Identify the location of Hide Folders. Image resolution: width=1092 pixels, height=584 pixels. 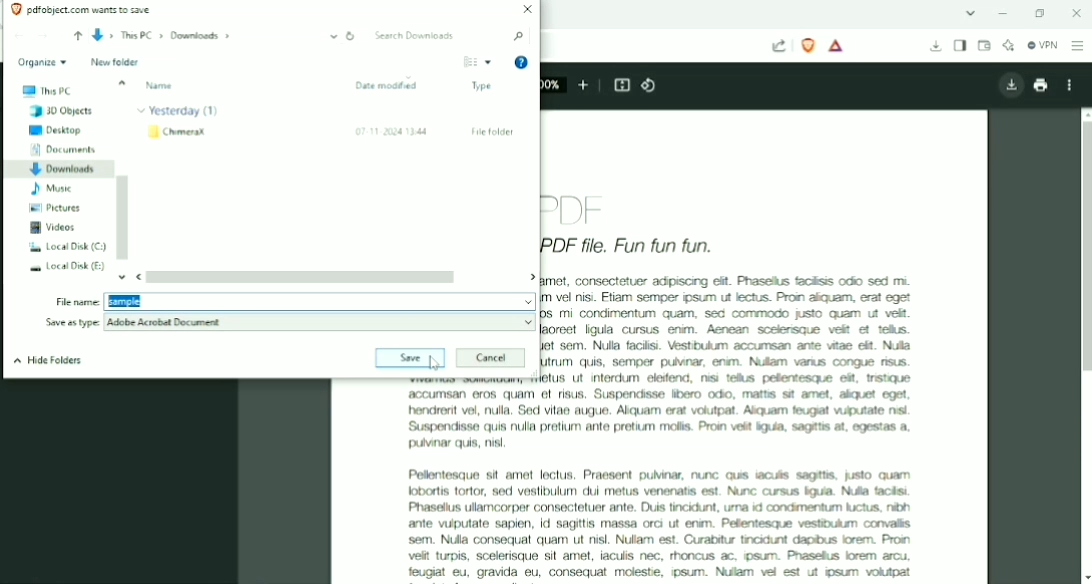
(49, 359).